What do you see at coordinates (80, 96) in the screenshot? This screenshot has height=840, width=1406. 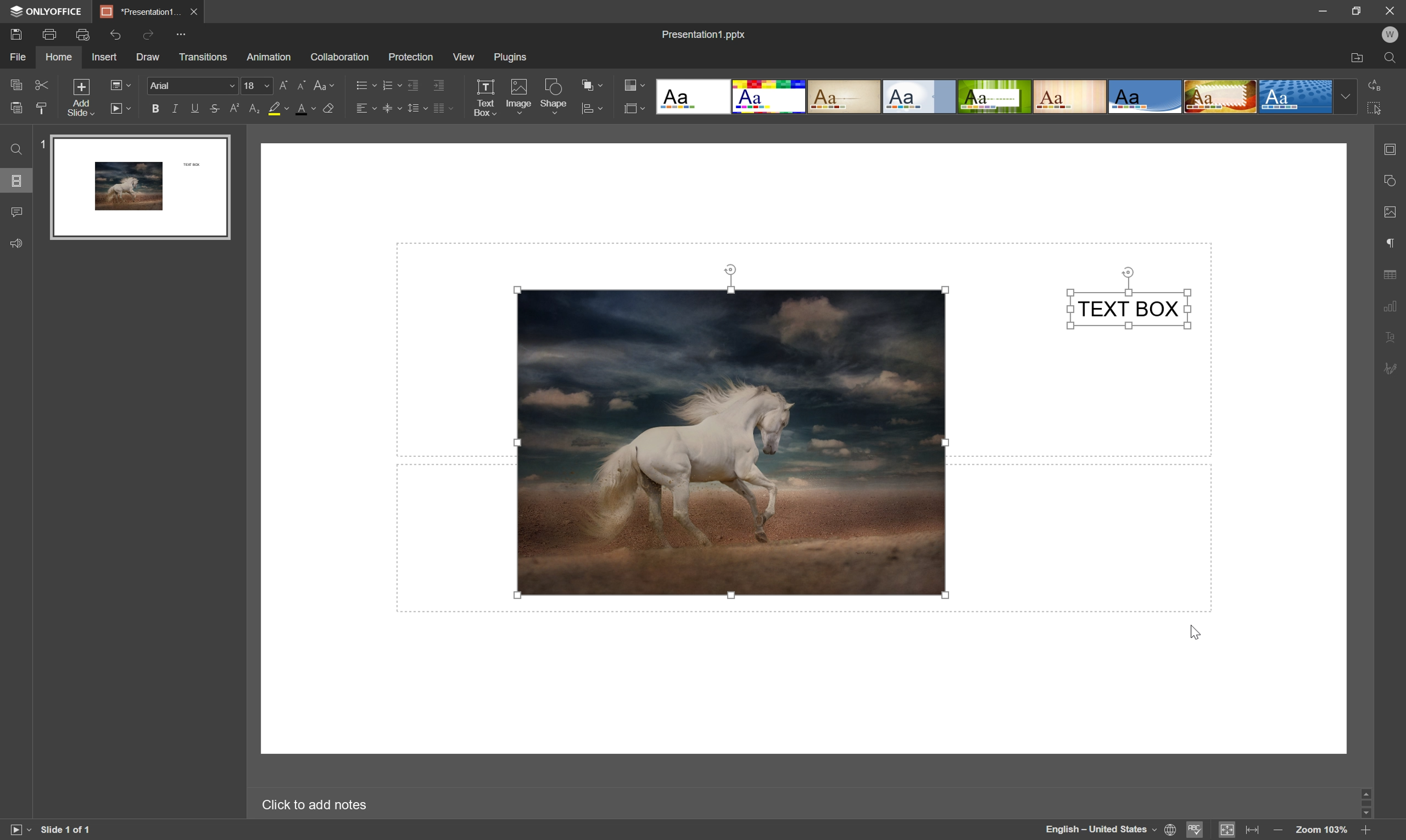 I see `add slide` at bounding box center [80, 96].